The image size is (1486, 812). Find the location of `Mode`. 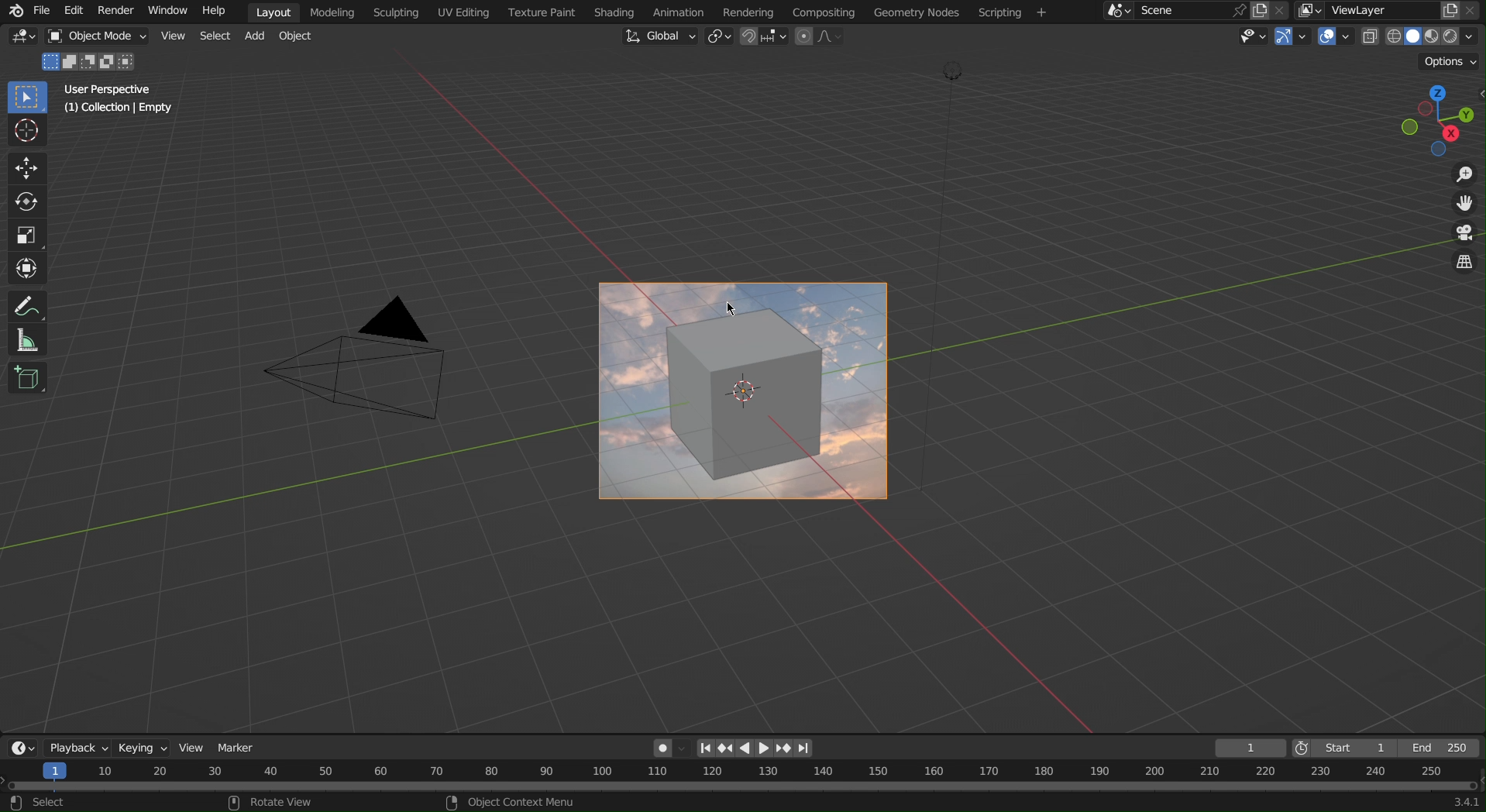

Mode is located at coordinates (91, 62).